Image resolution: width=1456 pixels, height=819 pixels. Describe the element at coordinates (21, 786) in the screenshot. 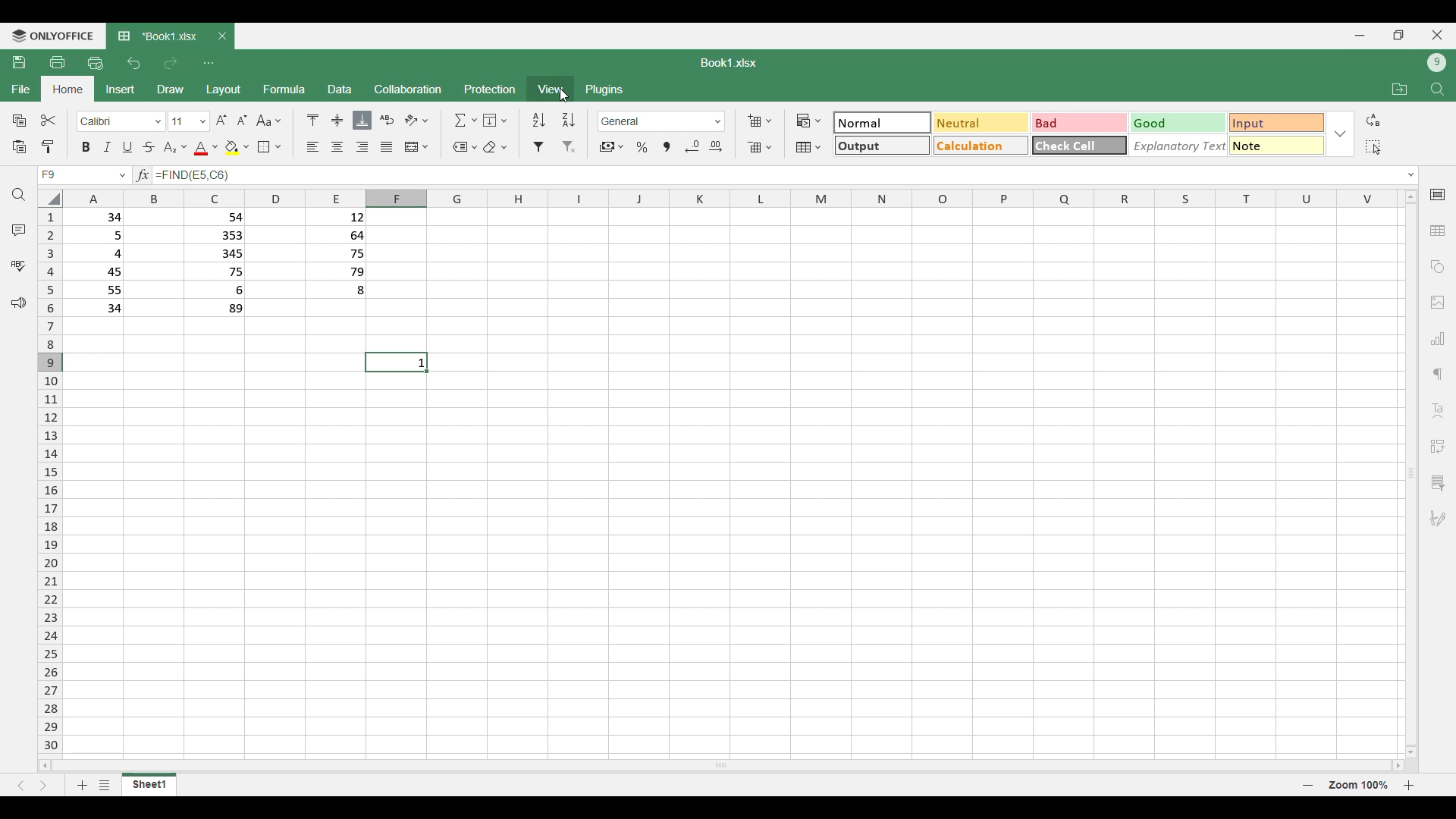

I see `Previous` at that location.